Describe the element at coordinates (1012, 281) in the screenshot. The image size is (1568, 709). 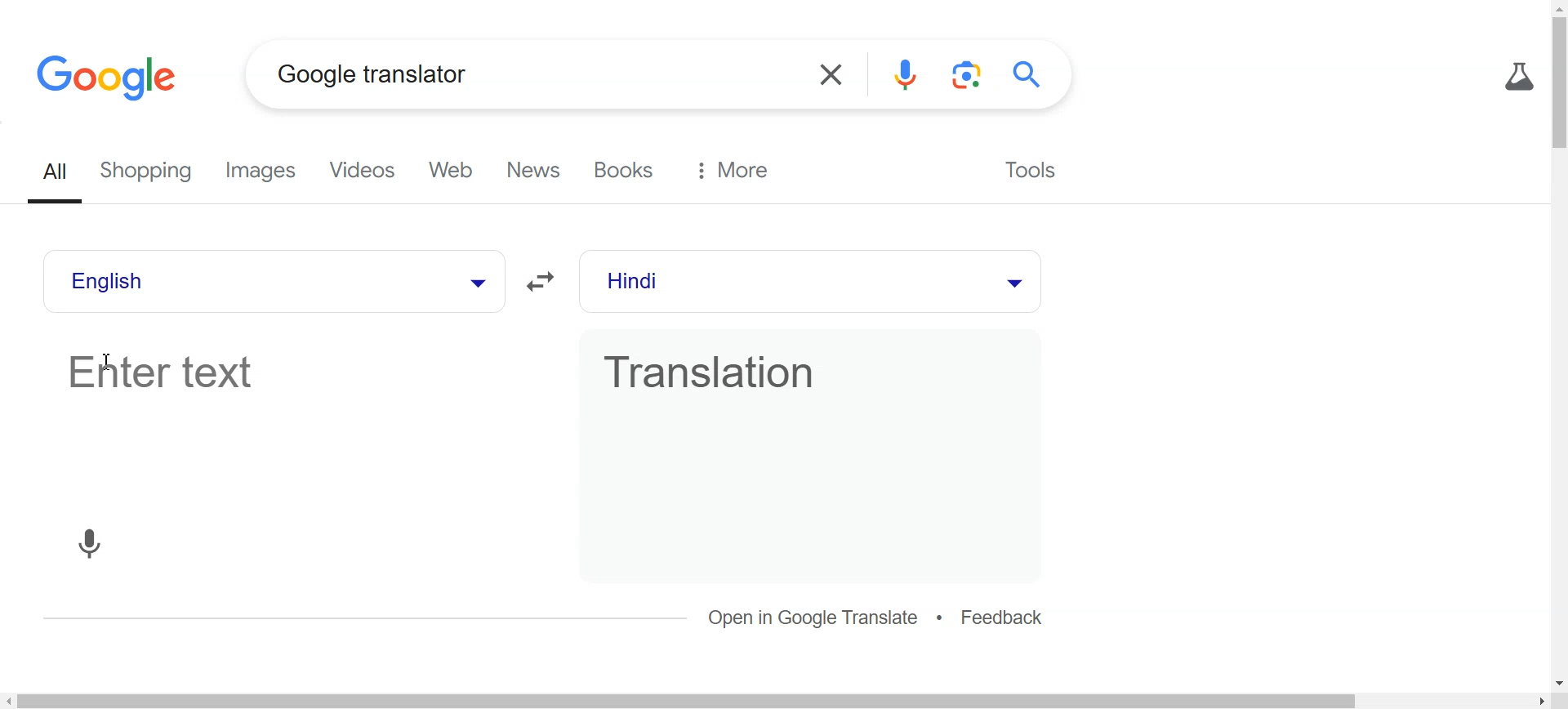
I see `Drop down box` at that location.